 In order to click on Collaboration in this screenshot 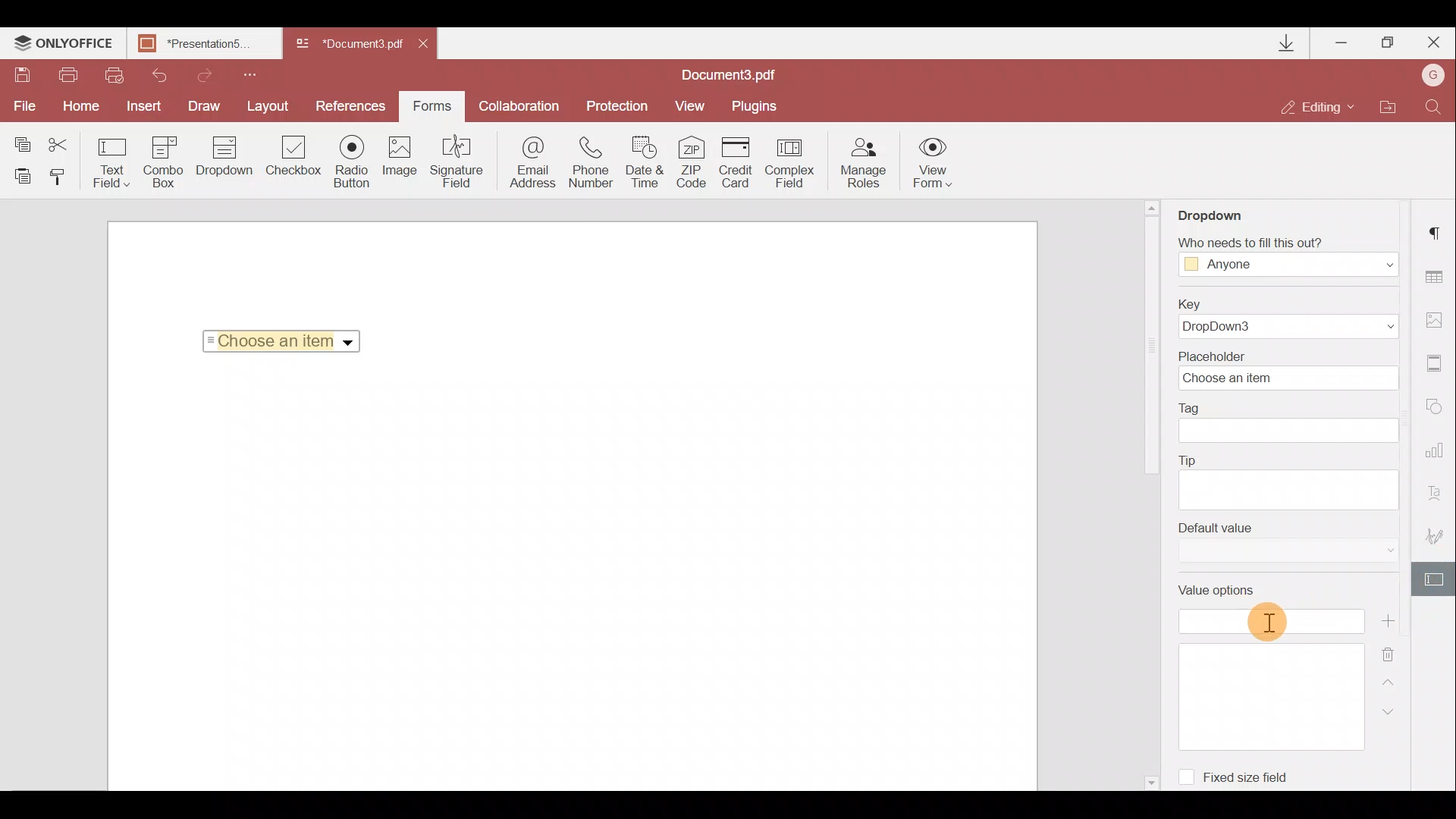, I will do `click(519, 104)`.